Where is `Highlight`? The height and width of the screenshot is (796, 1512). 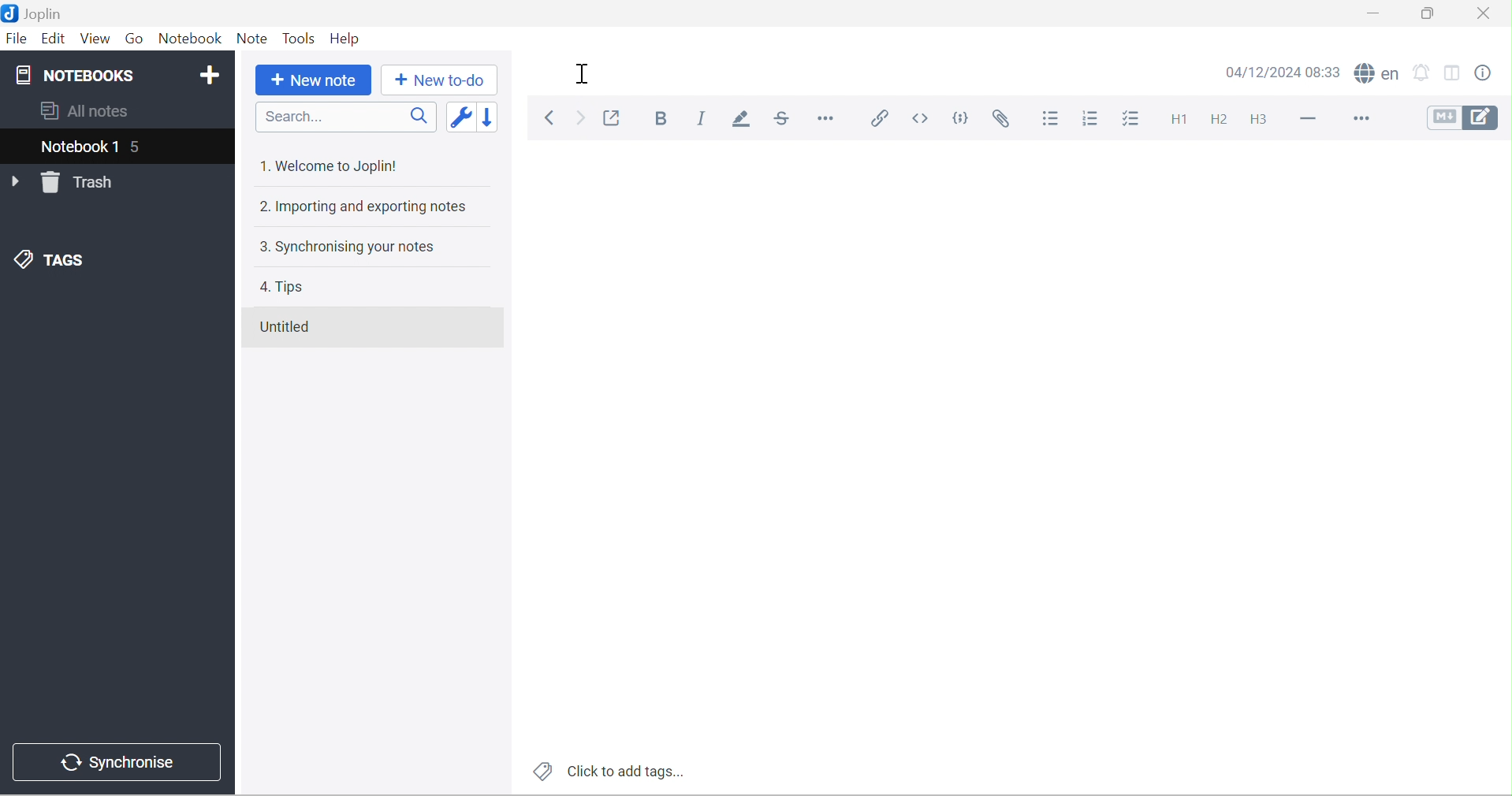
Highlight is located at coordinates (744, 120).